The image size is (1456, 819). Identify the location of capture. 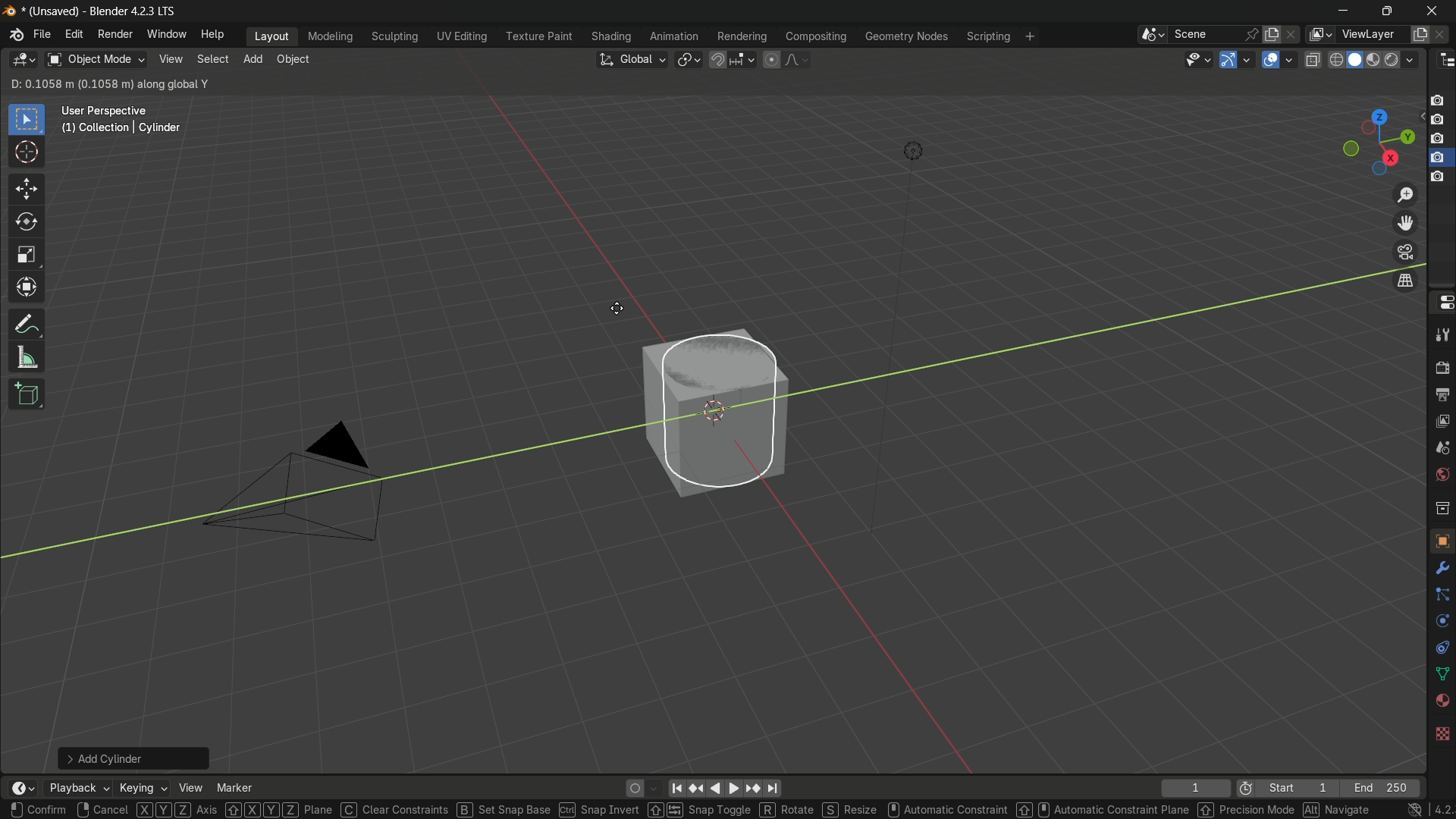
(1438, 181).